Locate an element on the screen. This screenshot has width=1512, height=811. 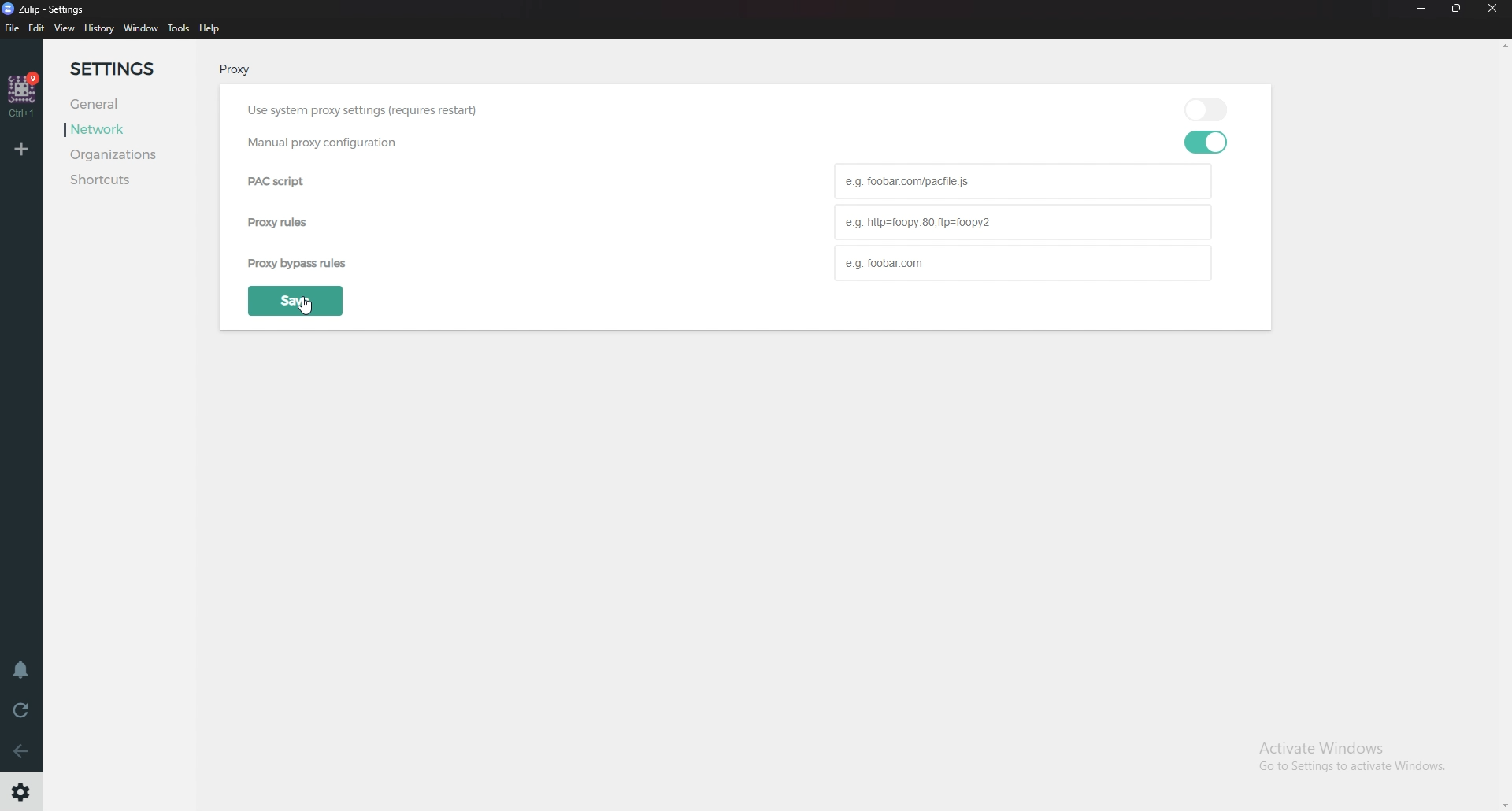
pRoxy is located at coordinates (232, 72).